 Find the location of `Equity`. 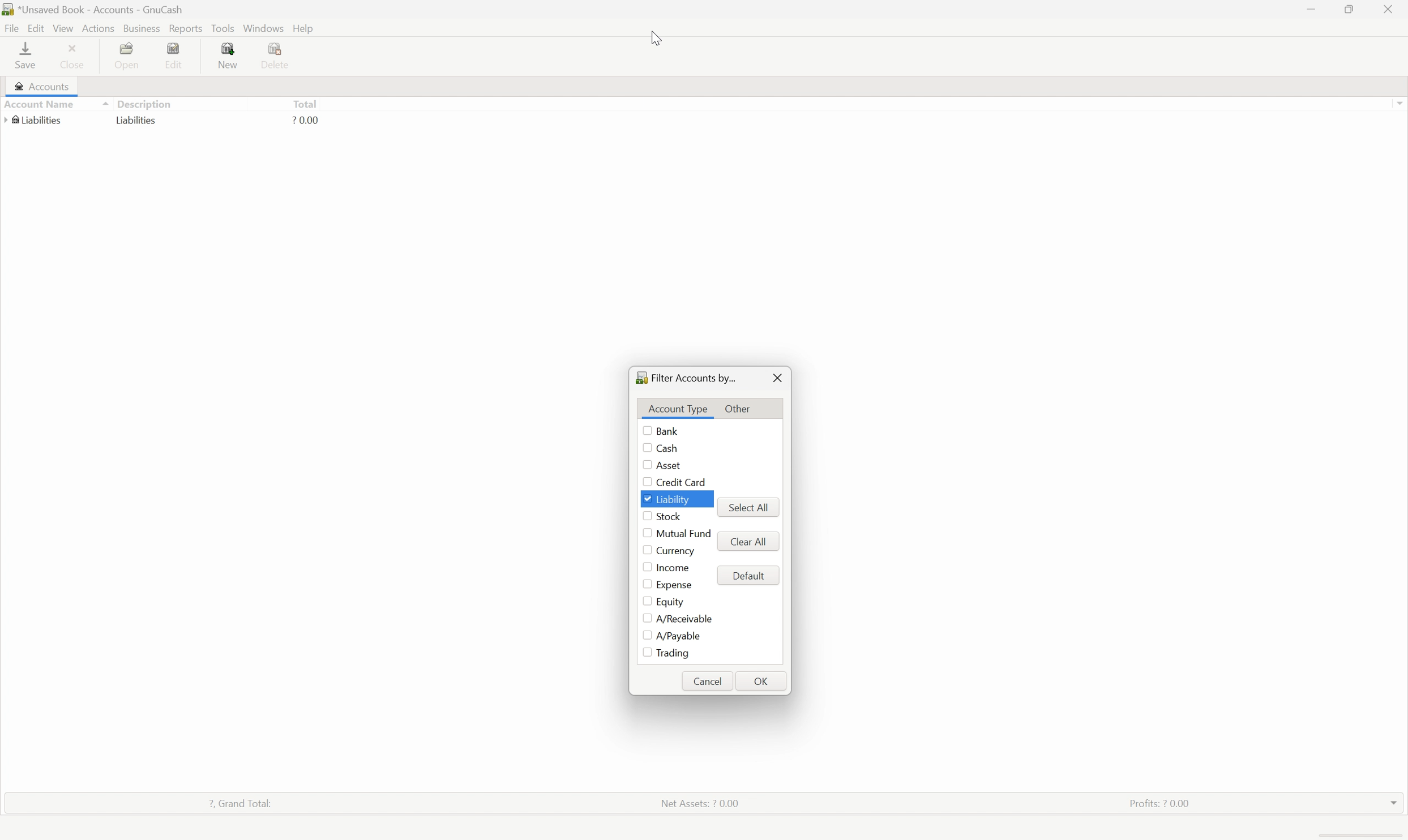

Equity is located at coordinates (671, 601).